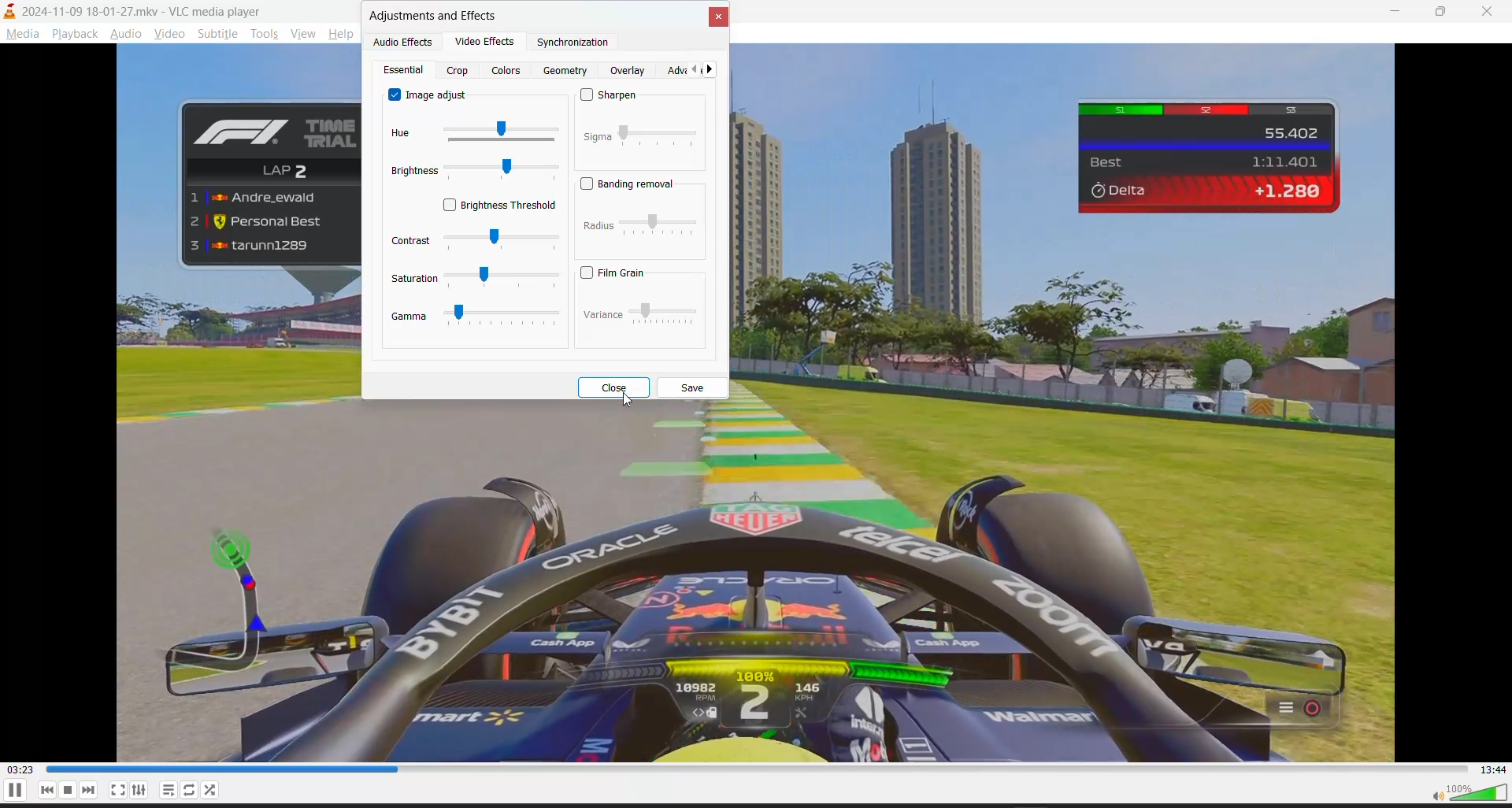 The width and height of the screenshot is (1512, 808). What do you see at coordinates (73, 33) in the screenshot?
I see `playback` at bounding box center [73, 33].